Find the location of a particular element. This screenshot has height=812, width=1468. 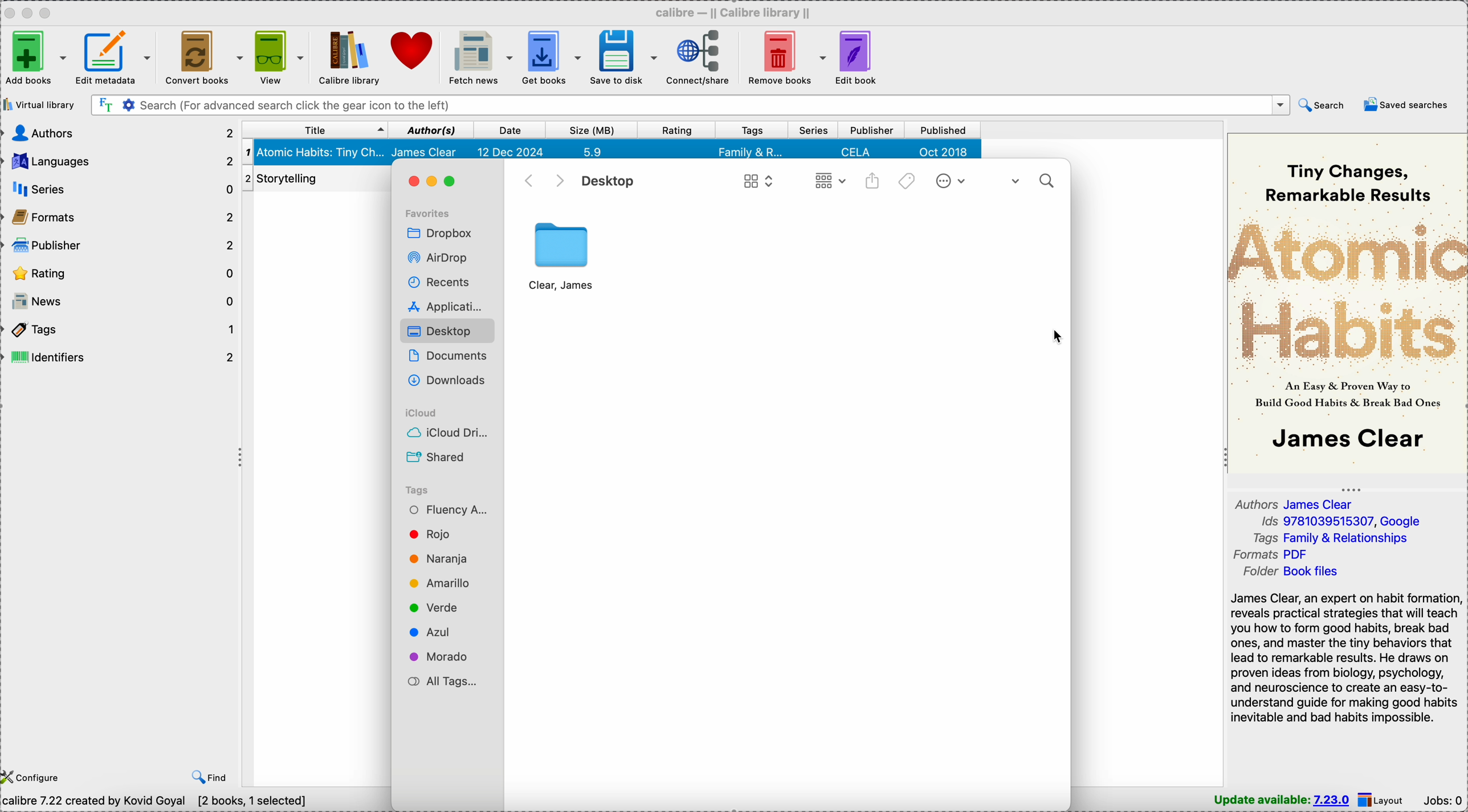

identifiers is located at coordinates (121, 357).